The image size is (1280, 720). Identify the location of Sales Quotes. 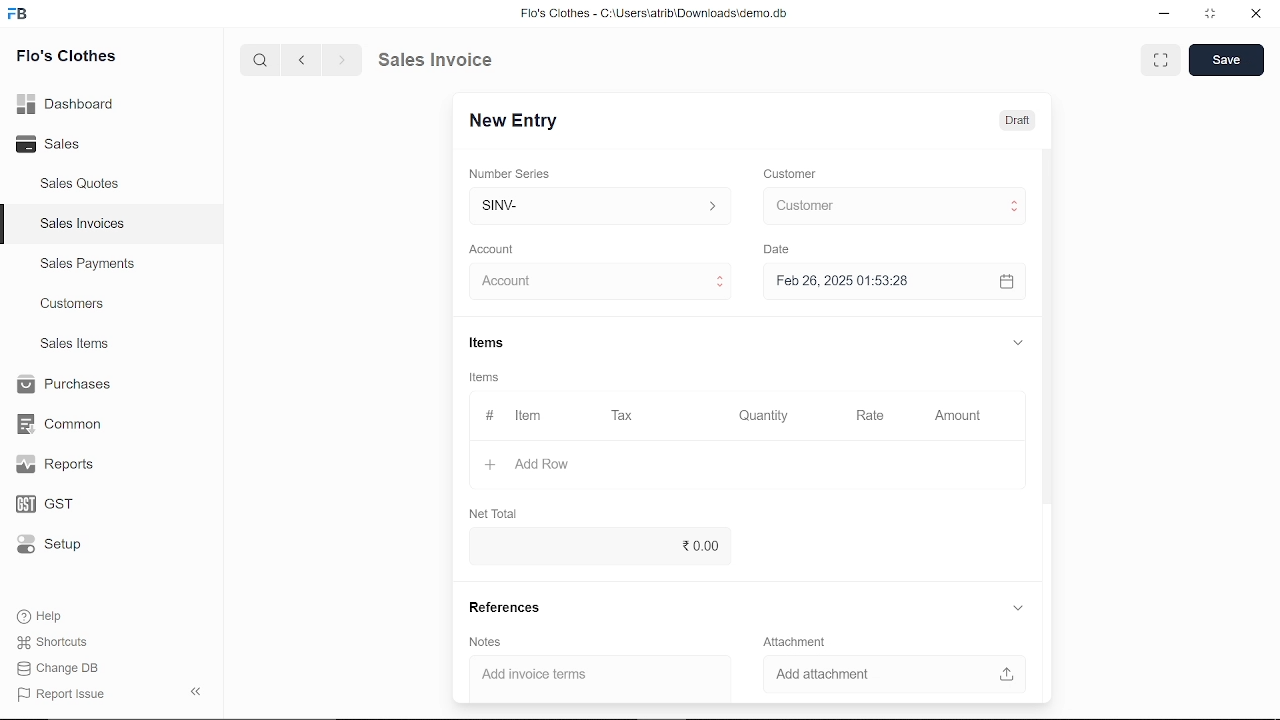
(82, 185).